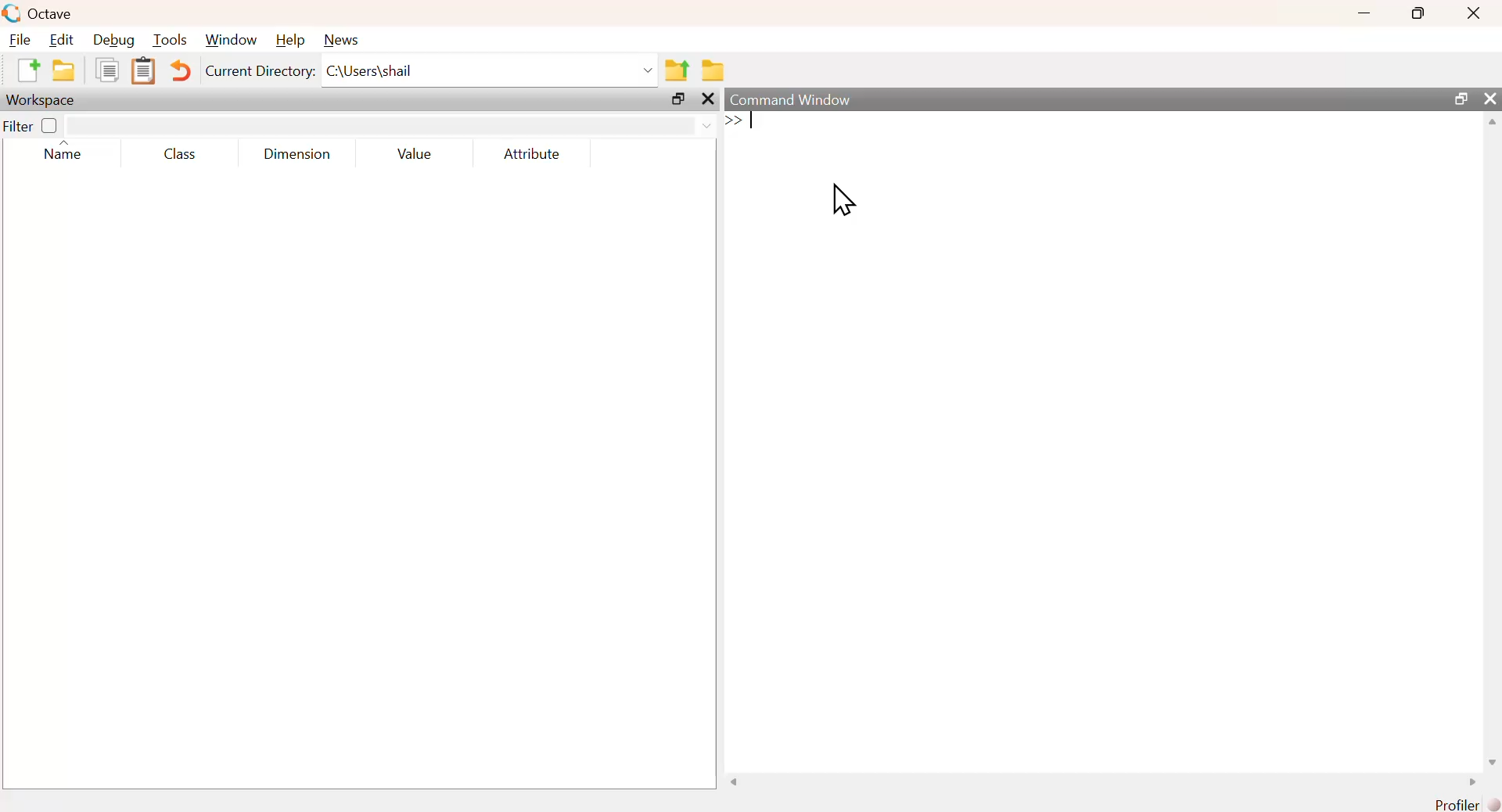  I want to click on text cursor, so click(752, 123).